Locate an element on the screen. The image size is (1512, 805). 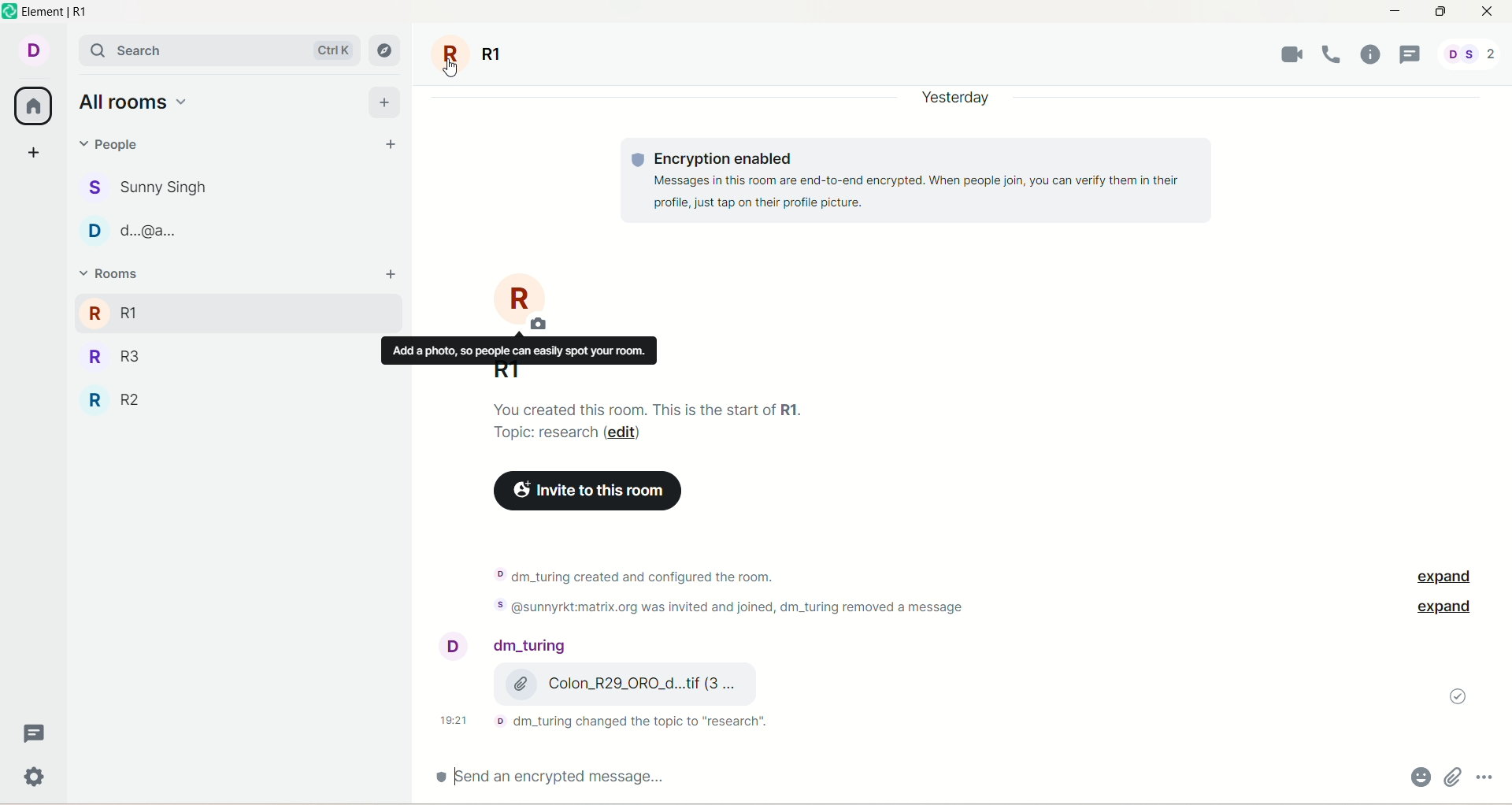
text is located at coordinates (917, 182).